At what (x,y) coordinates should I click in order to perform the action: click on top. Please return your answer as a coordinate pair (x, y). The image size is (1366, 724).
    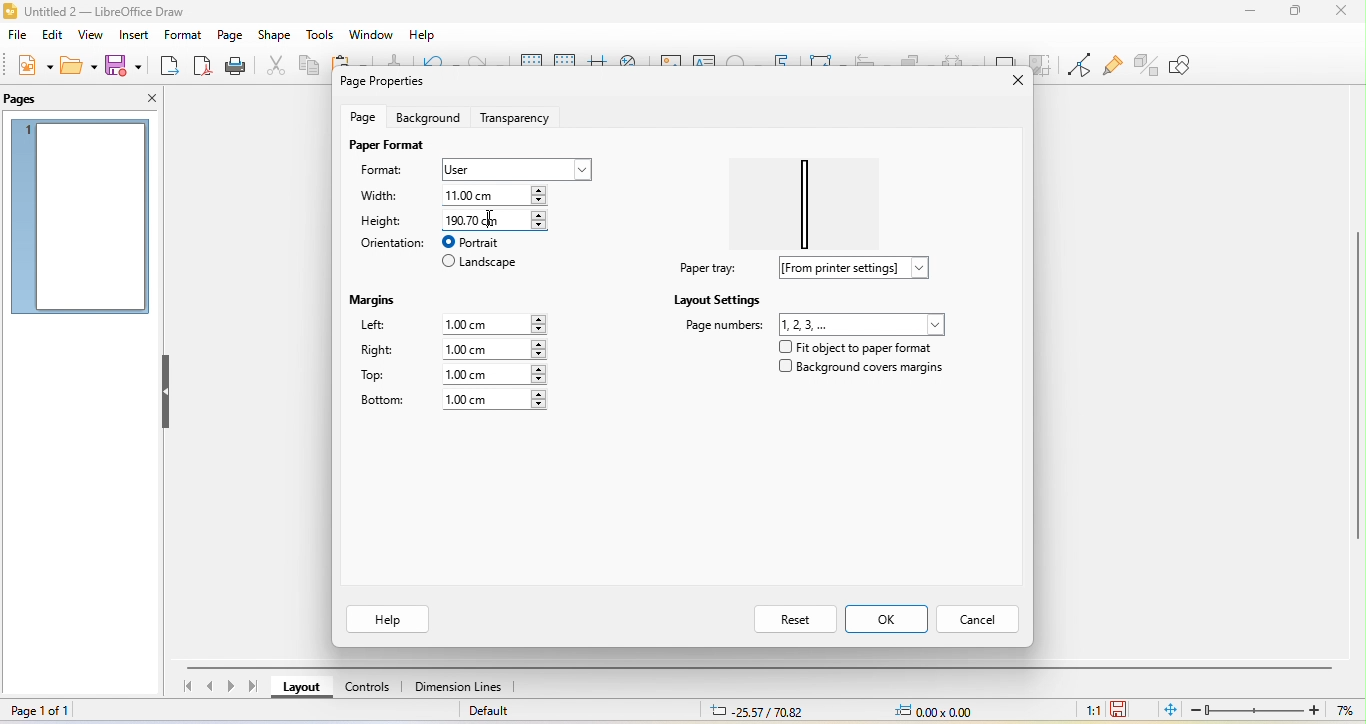
    Looking at the image, I should click on (382, 376).